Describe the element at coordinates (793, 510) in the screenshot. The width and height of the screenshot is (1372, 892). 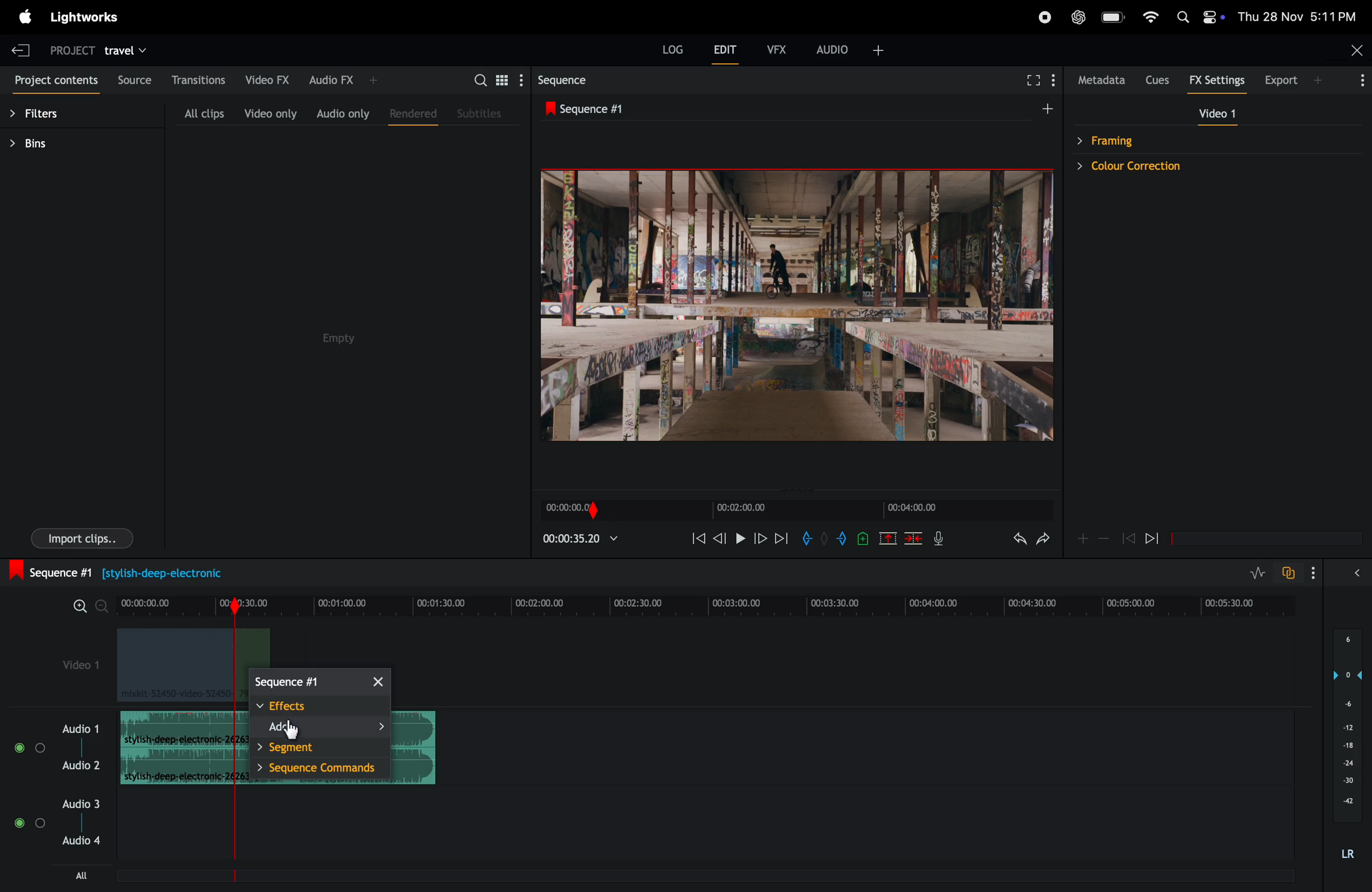
I see `time frames` at that location.